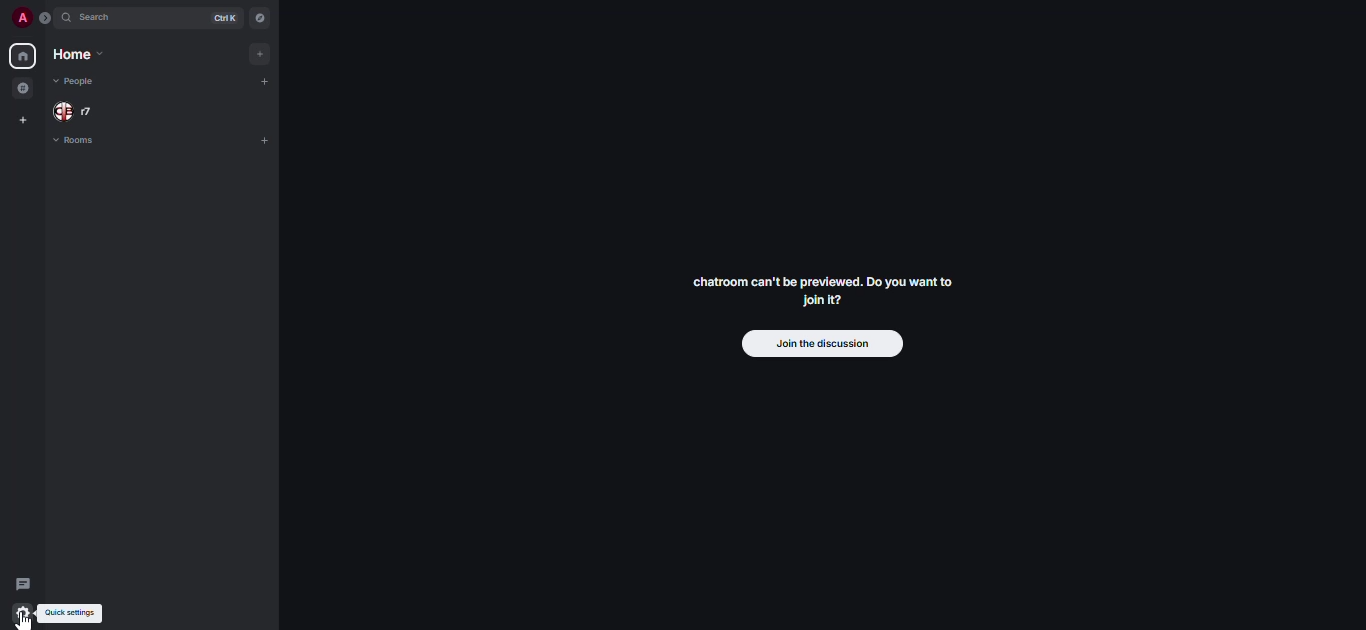  Describe the element at coordinates (22, 121) in the screenshot. I see `create space` at that location.